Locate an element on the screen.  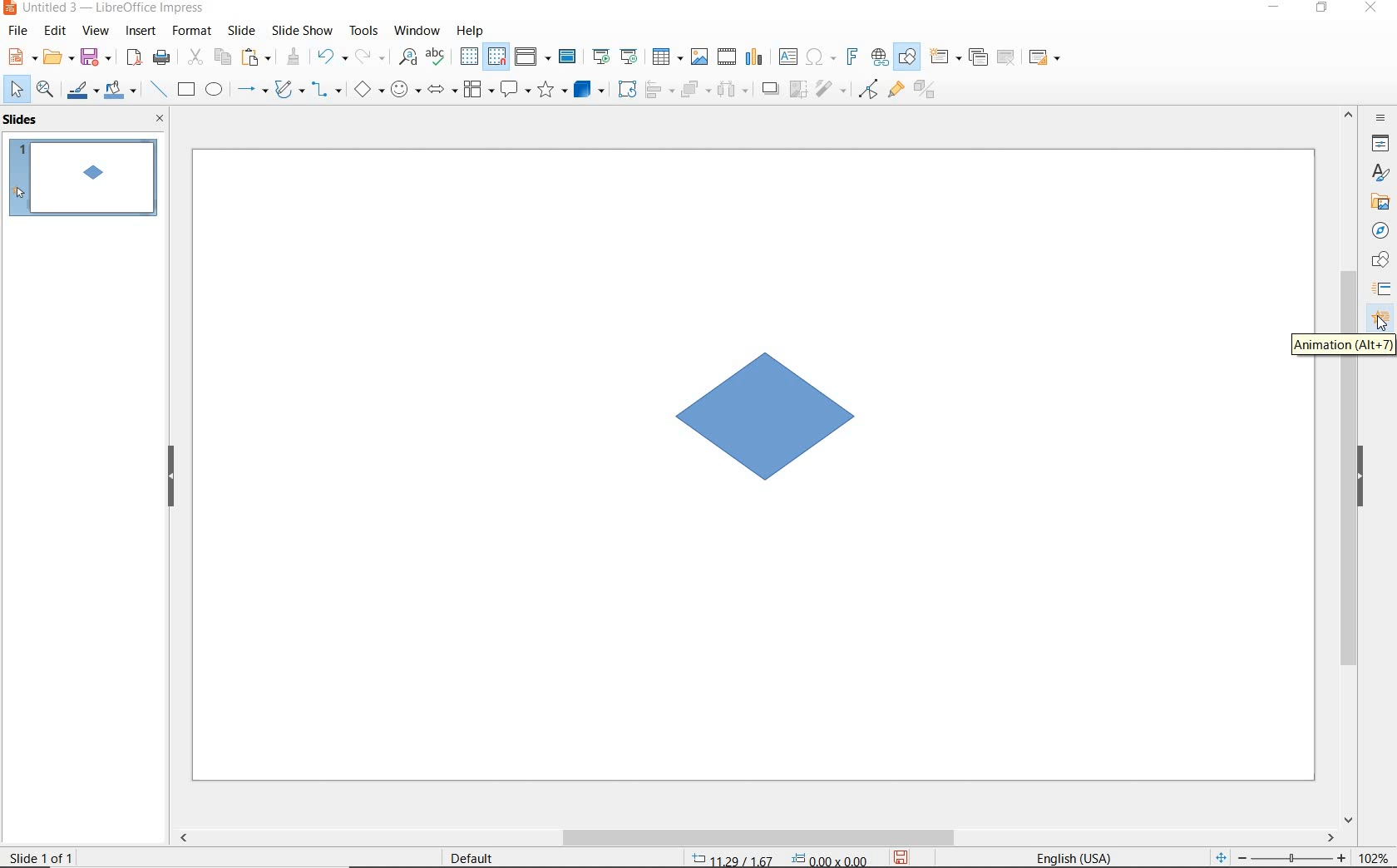
display views is located at coordinates (531, 57).